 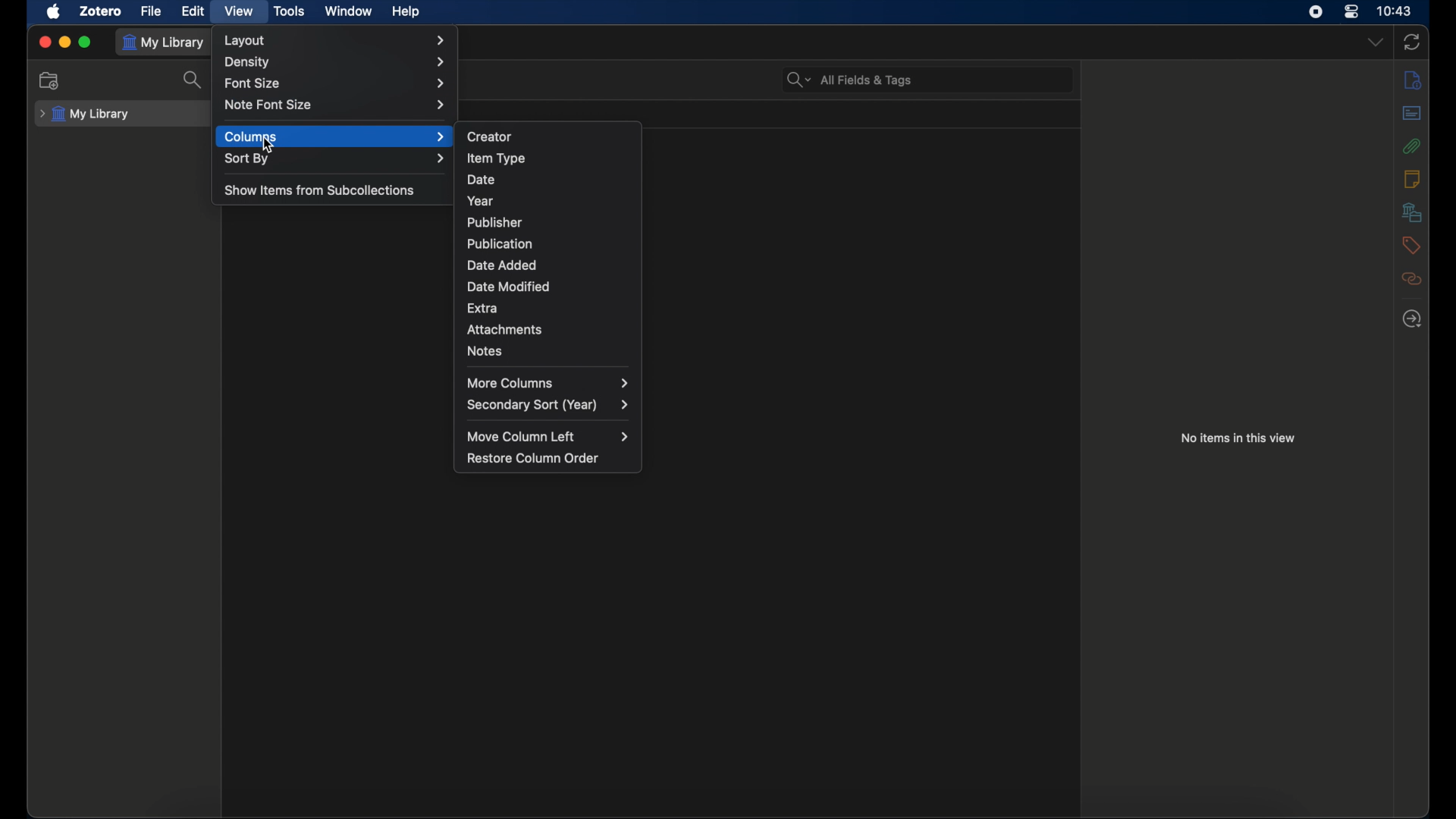 I want to click on date added, so click(x=502, y=265).